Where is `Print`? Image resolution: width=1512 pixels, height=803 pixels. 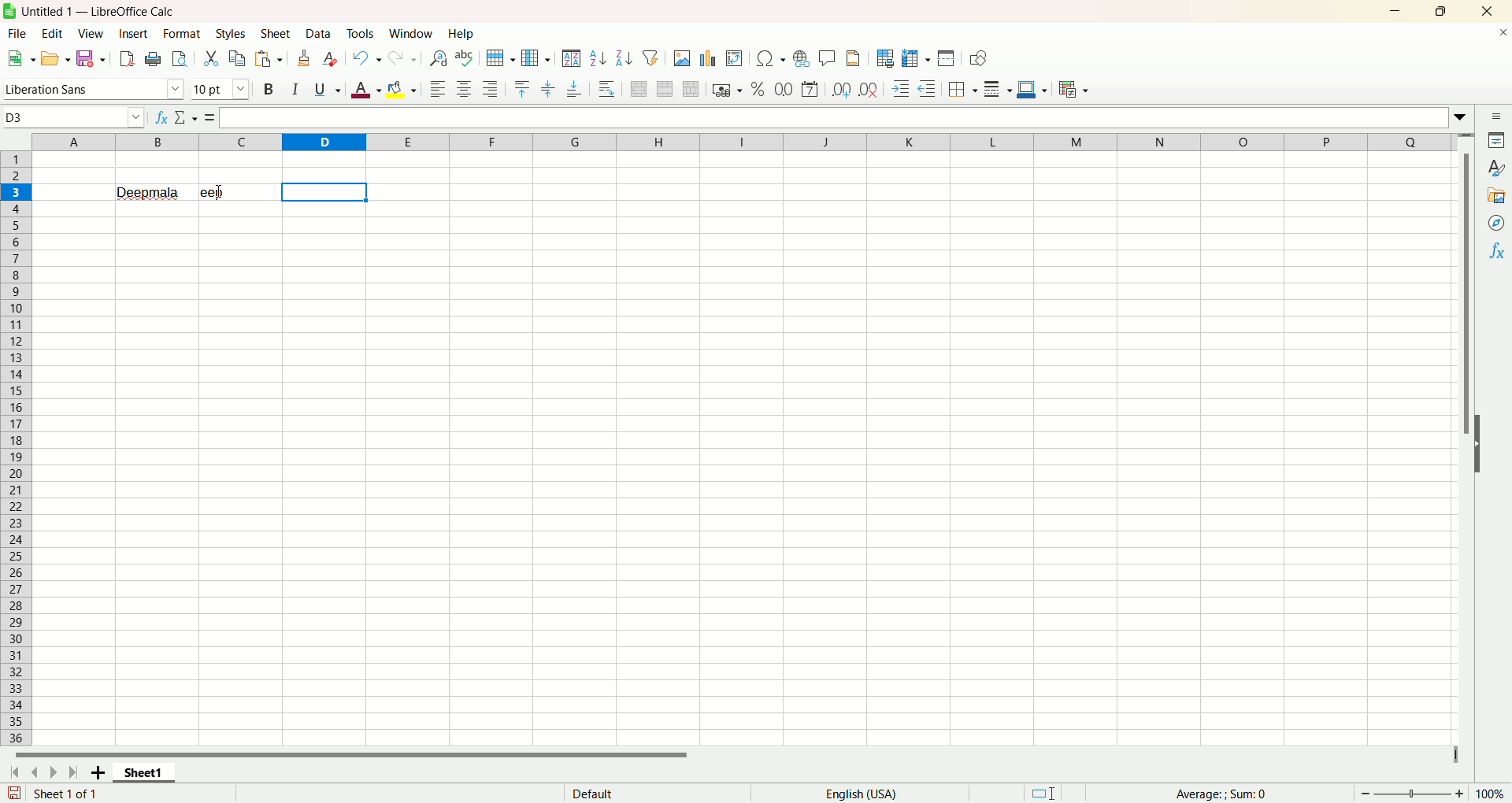 Print is located at coordinates (153, 60).